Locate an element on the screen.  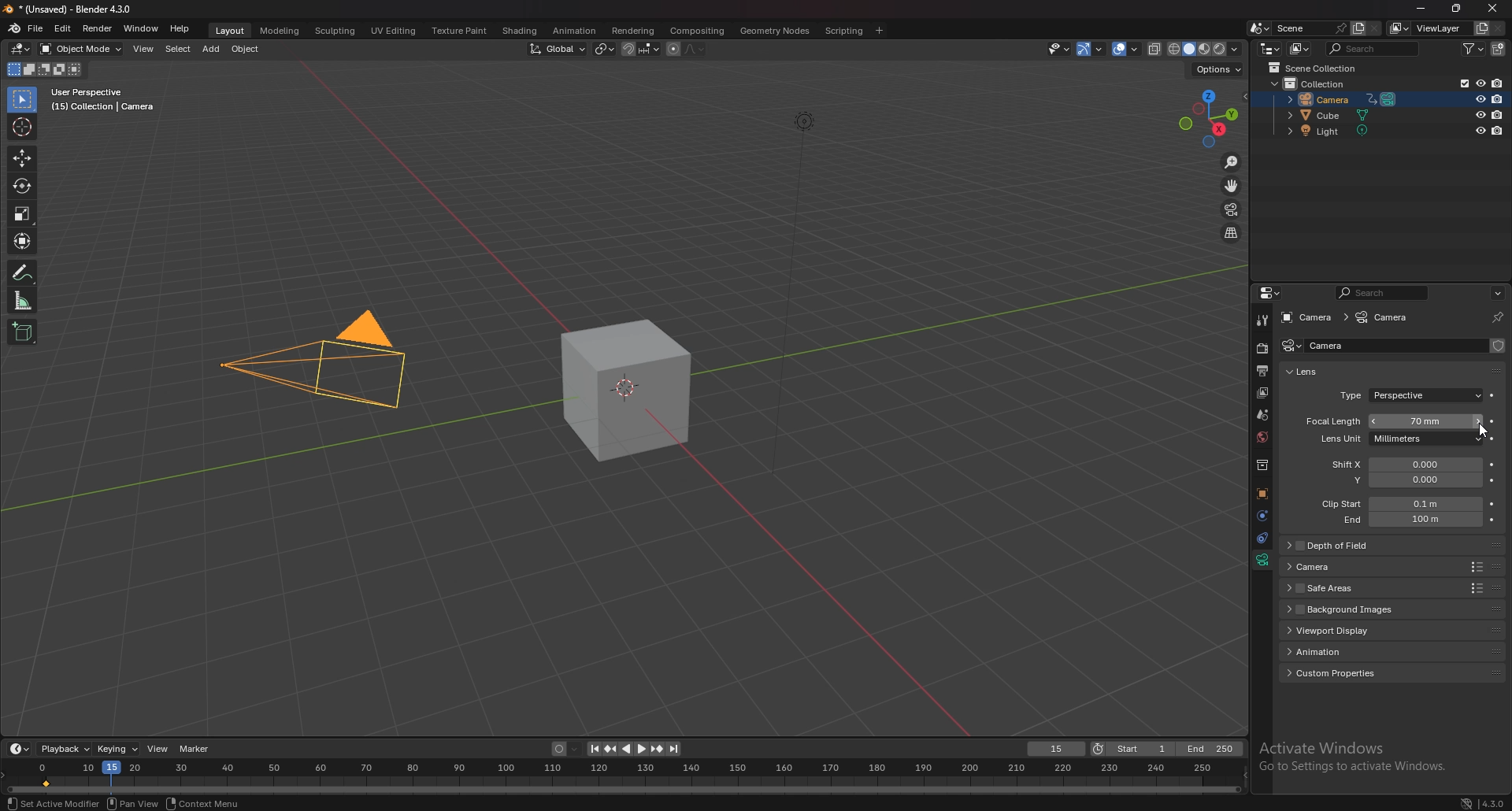
transform pivot point is located at coordinates (603, 49).